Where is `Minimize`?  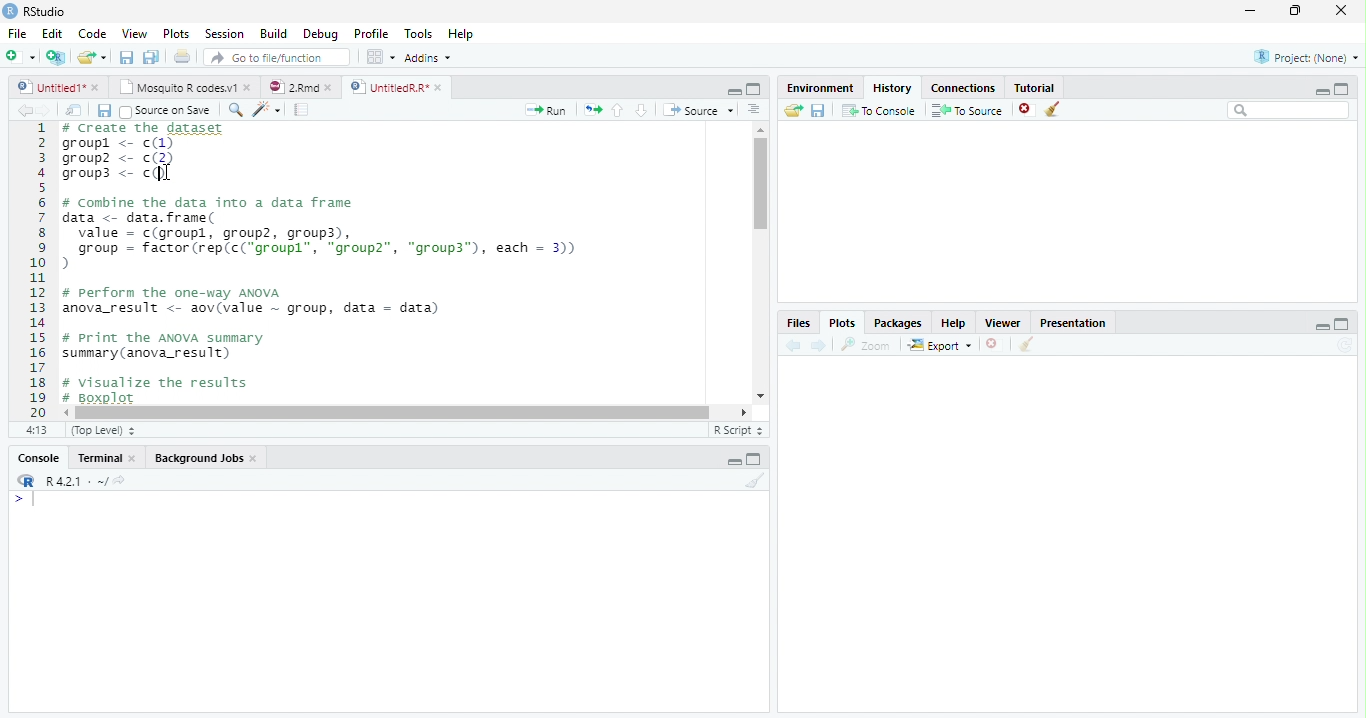
Minimize is located at coordinates (731, 90).